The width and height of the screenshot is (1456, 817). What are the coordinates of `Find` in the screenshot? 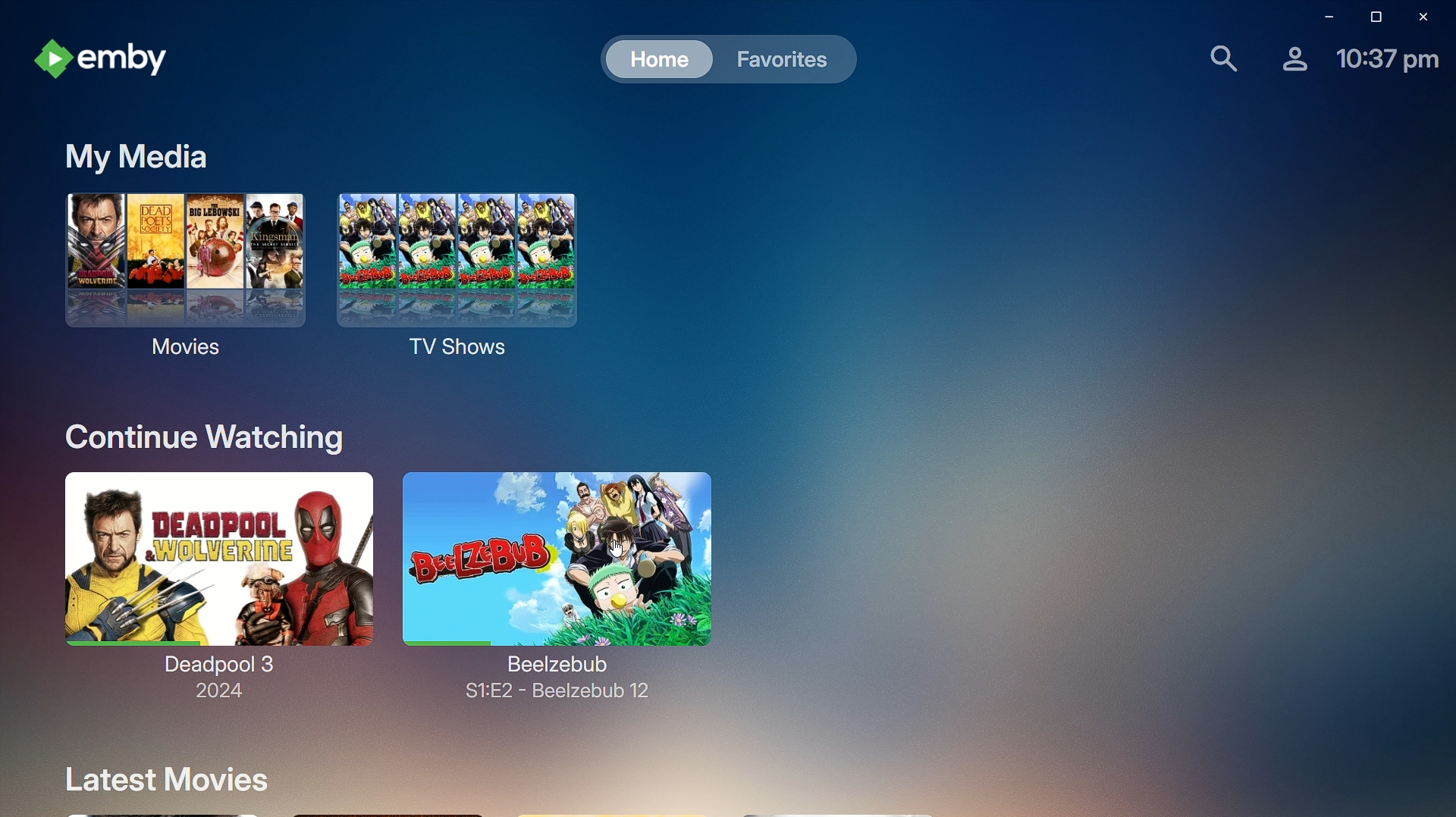 It's located at (1220, 59).